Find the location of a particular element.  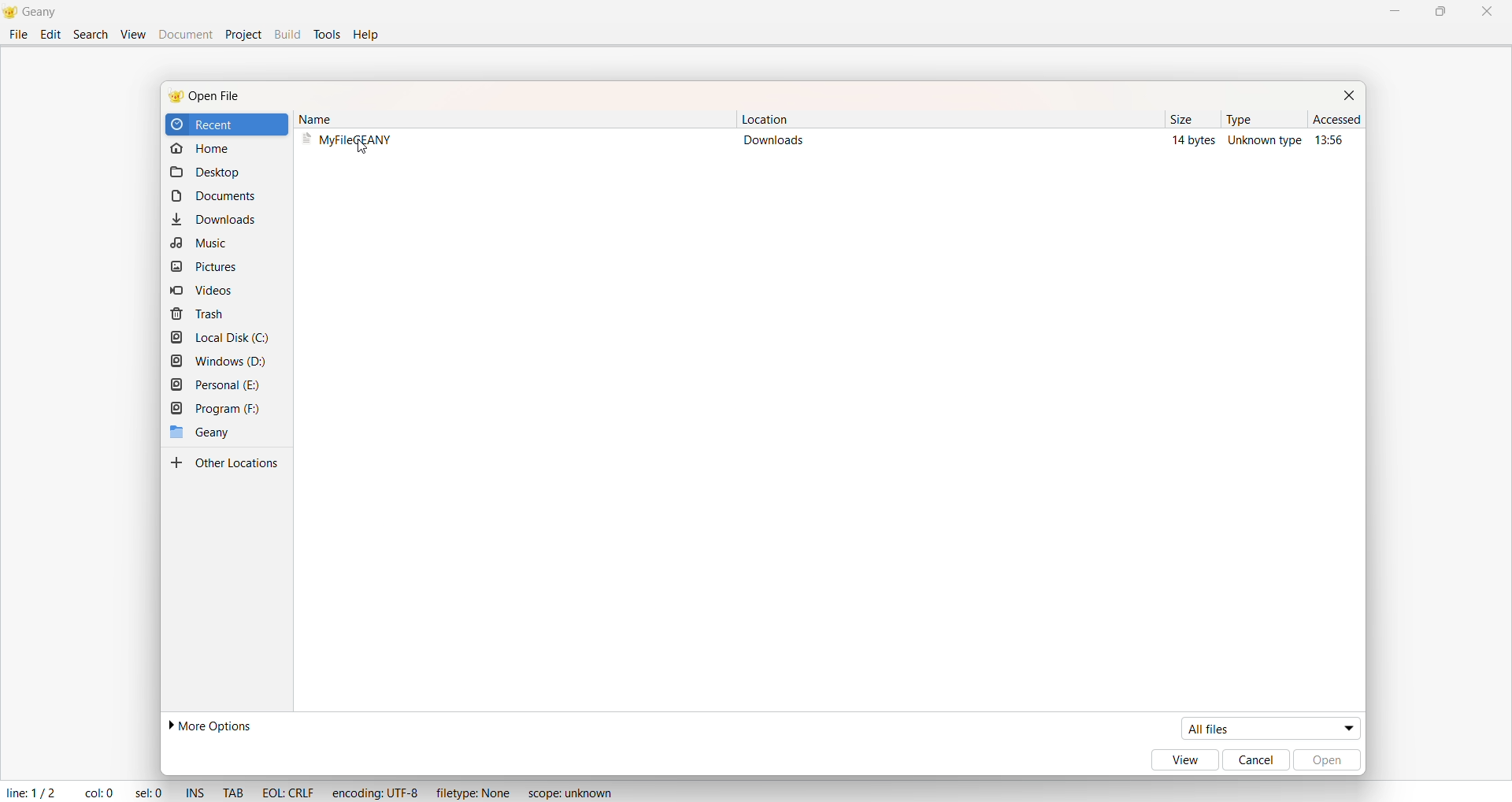

local disk C is located at coordinates (219, 337).